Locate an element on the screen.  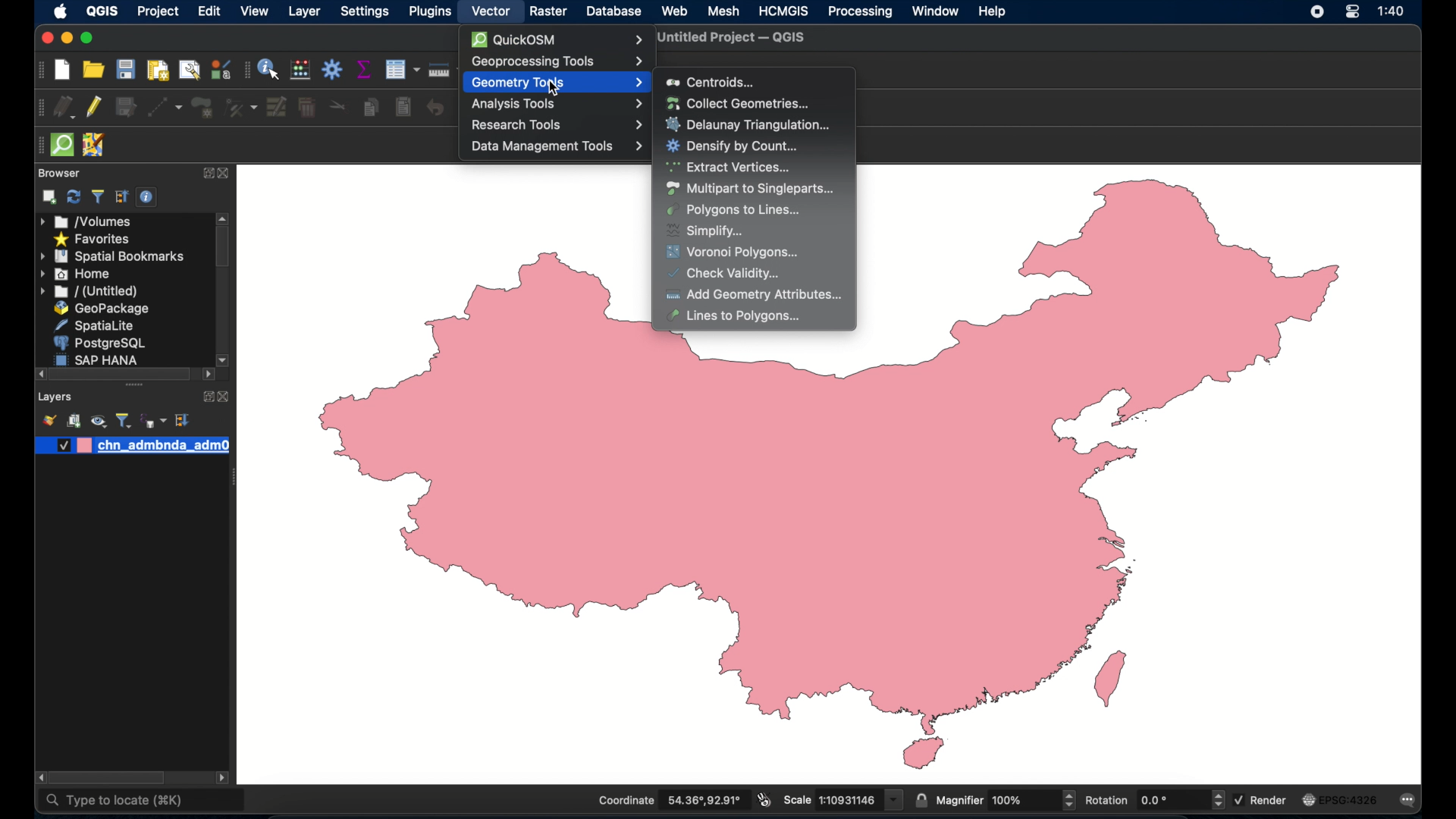
time is located at coordinates (1394, 11).